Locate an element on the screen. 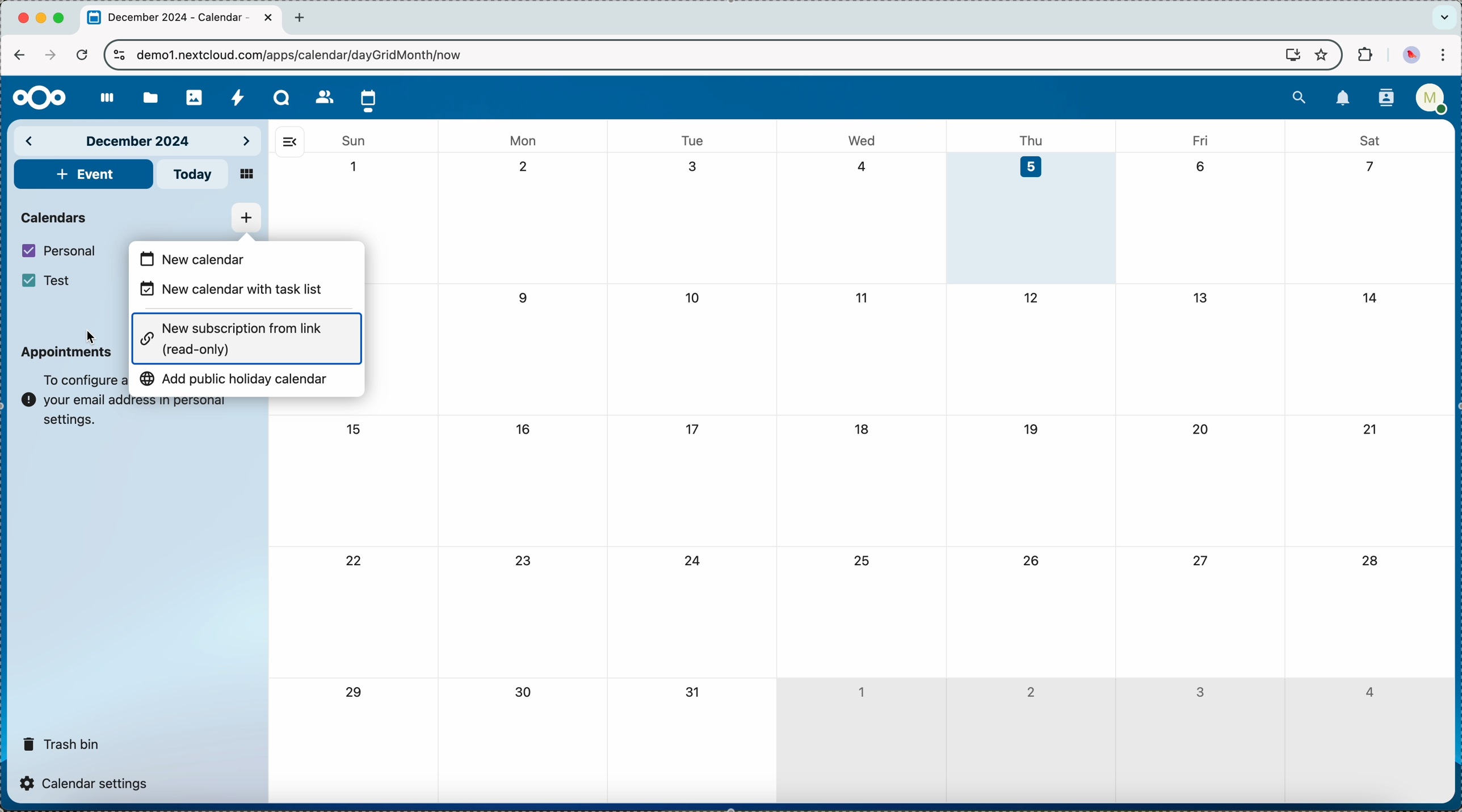 This screenshot has height=812, width=1462. activity is located at coordinates (238, 97).